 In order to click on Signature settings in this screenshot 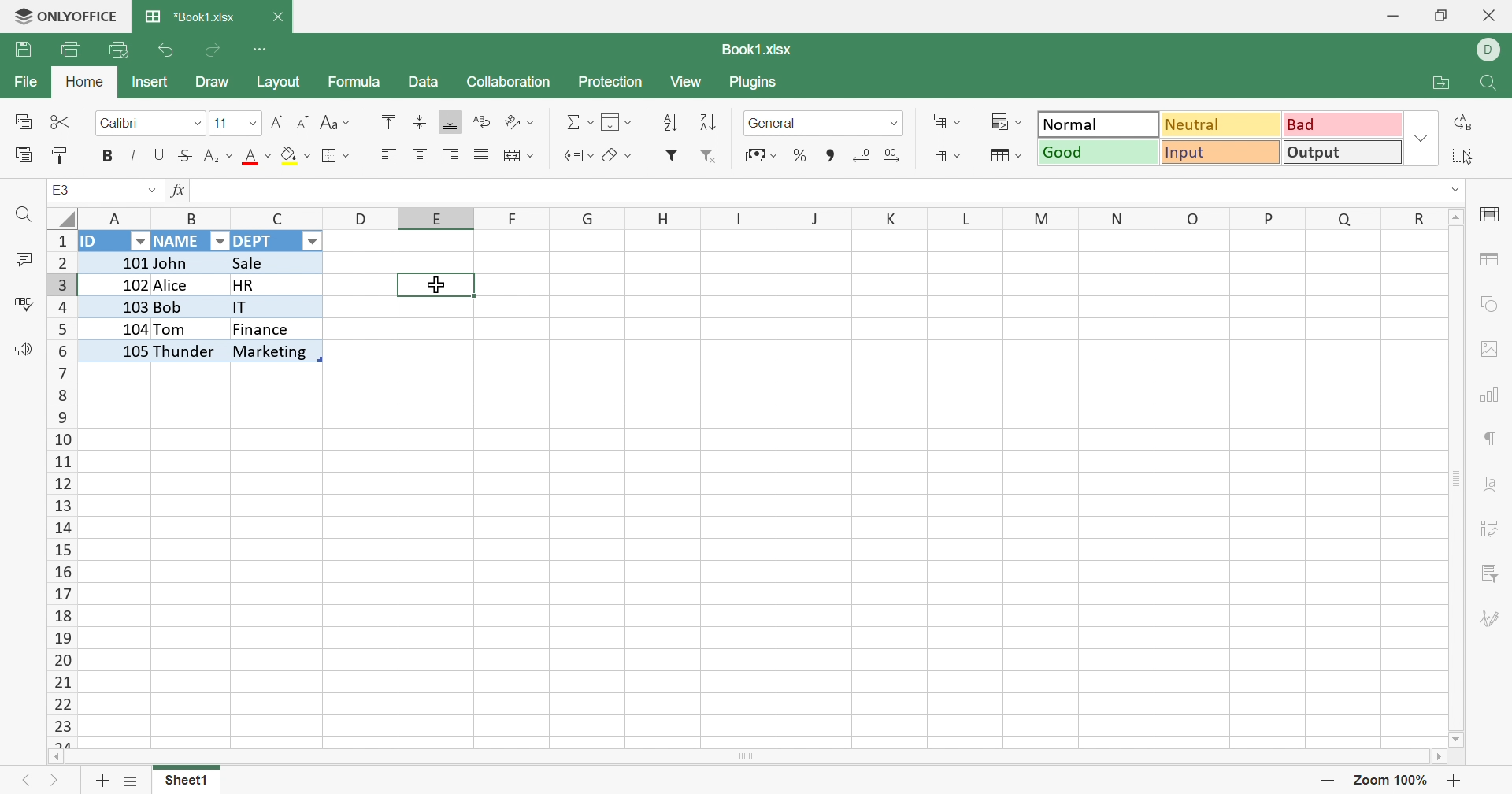, I will do `click(1494, 621)`.